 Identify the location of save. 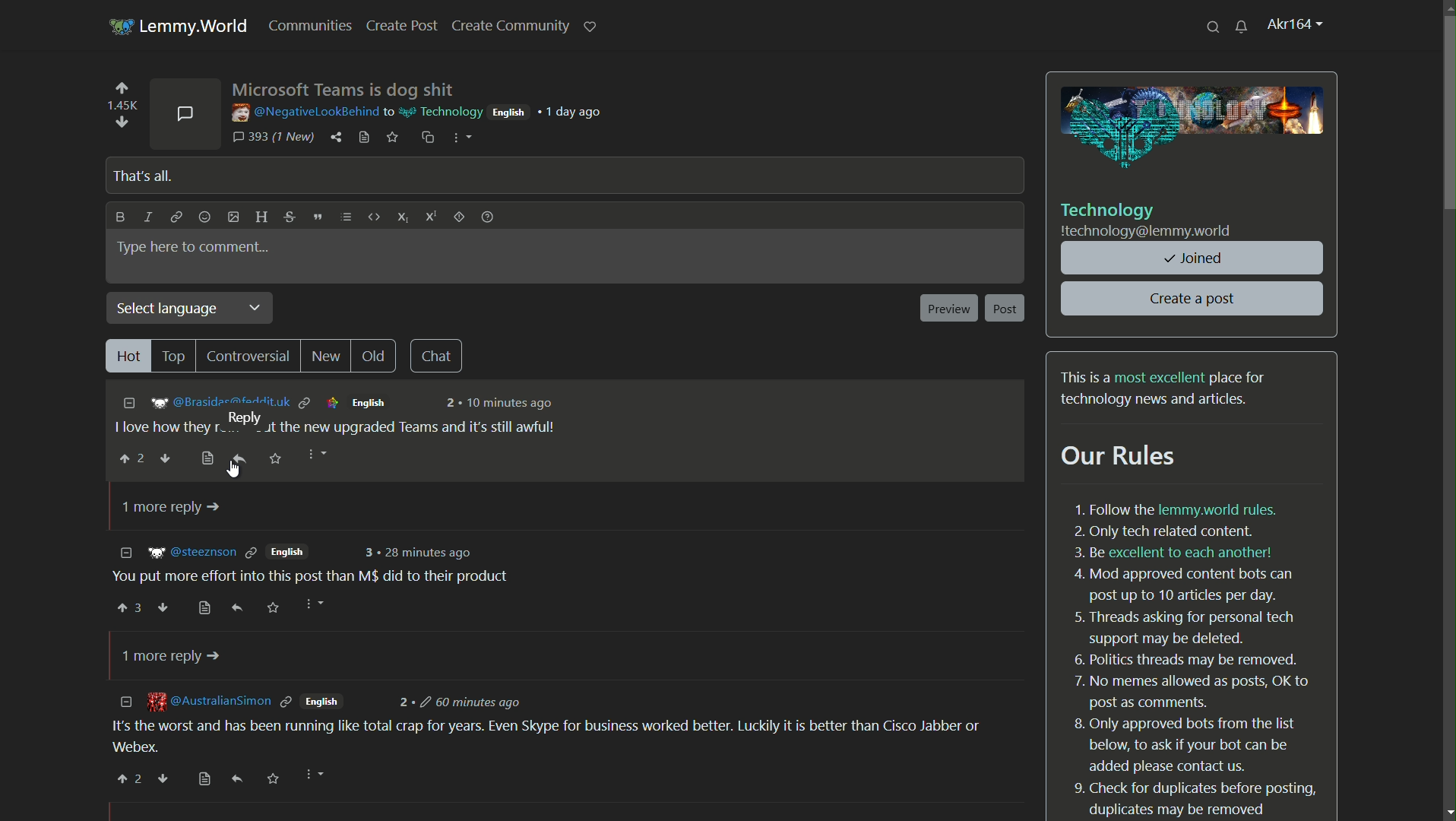
(274, 608).